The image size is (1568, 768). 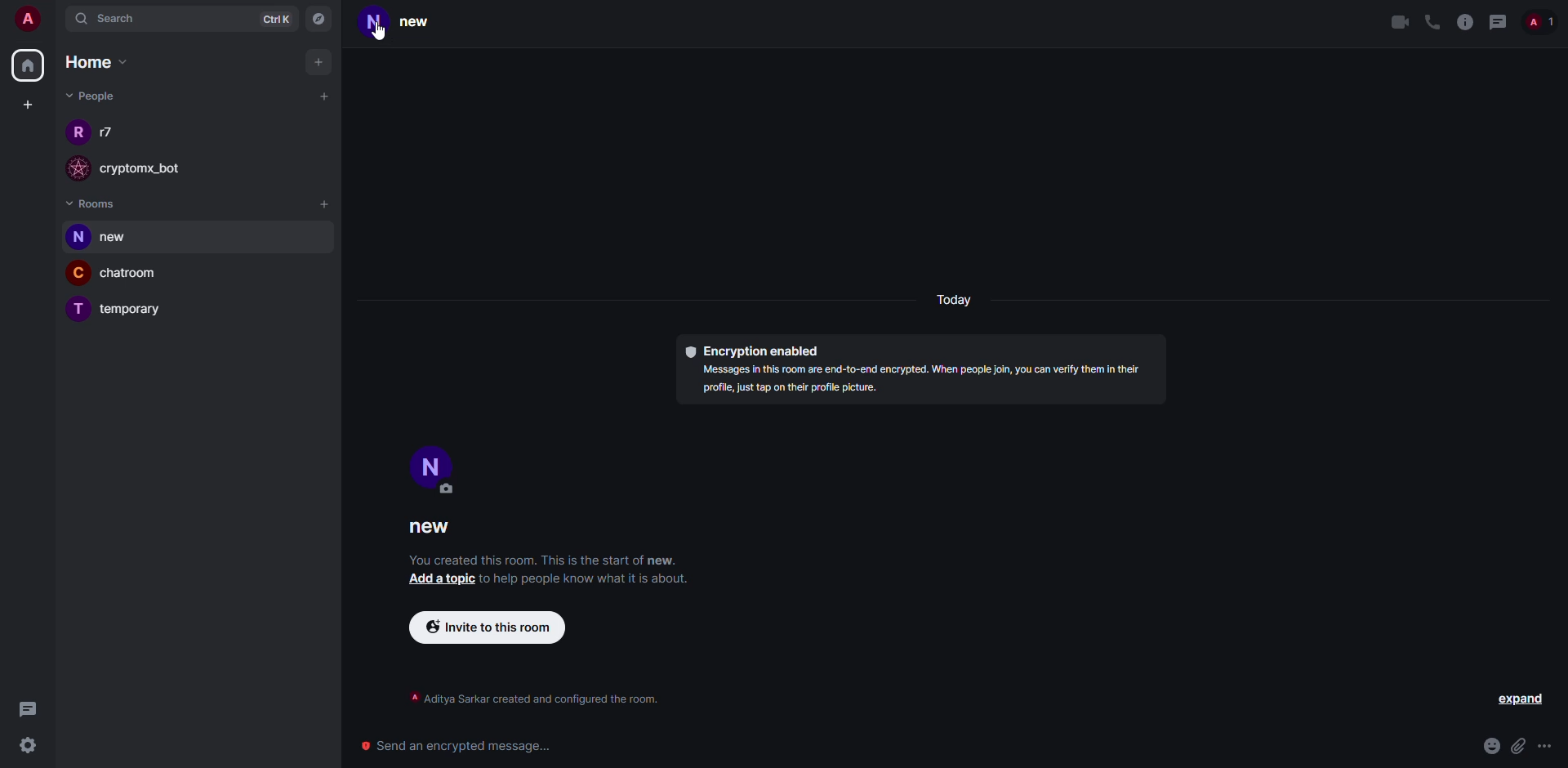 What do you see at coordinates (114, 20) in the screenshot?
I see `search` at bounding box center [114, 20].